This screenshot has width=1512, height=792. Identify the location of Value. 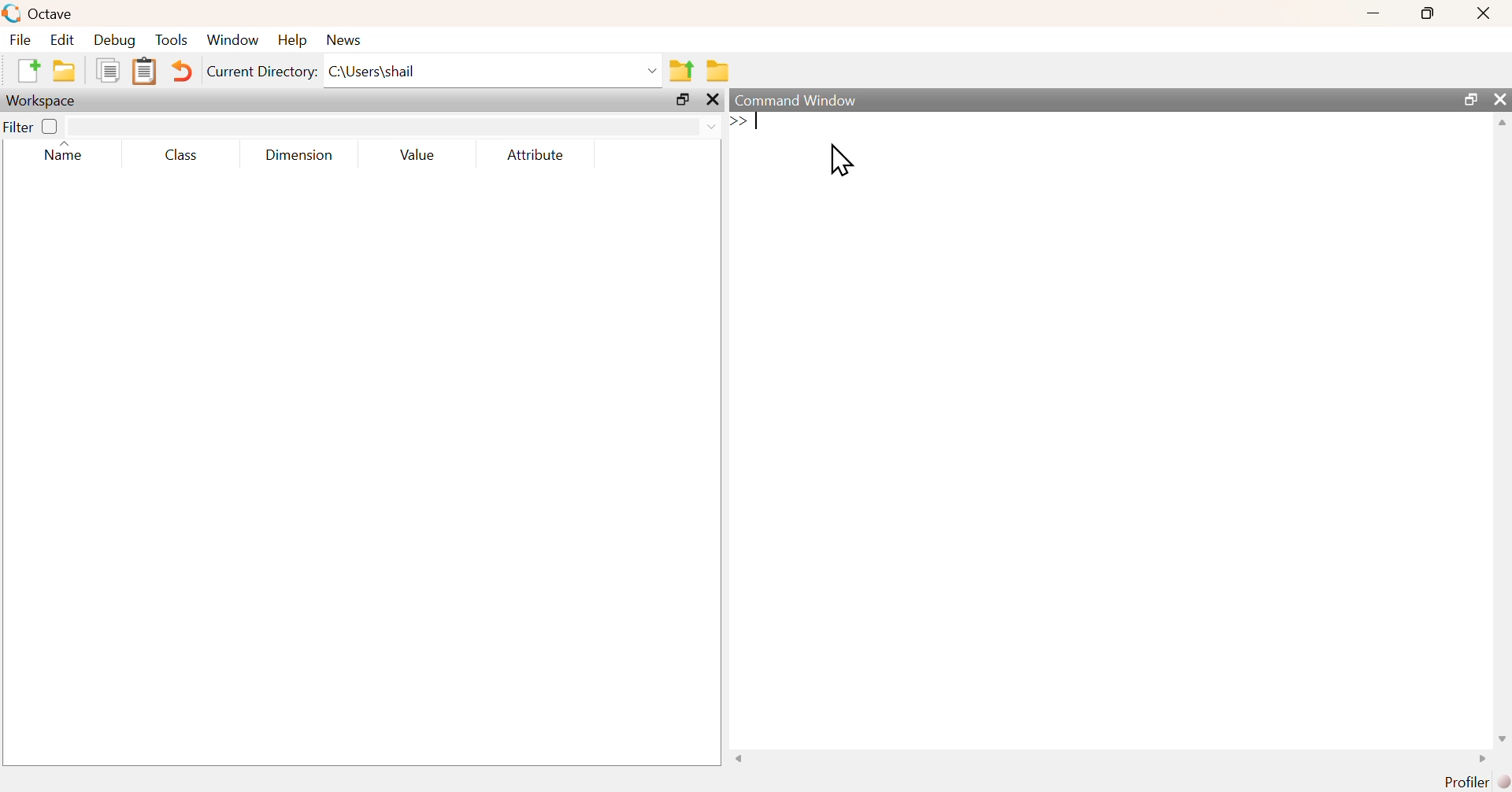
(422, 156).